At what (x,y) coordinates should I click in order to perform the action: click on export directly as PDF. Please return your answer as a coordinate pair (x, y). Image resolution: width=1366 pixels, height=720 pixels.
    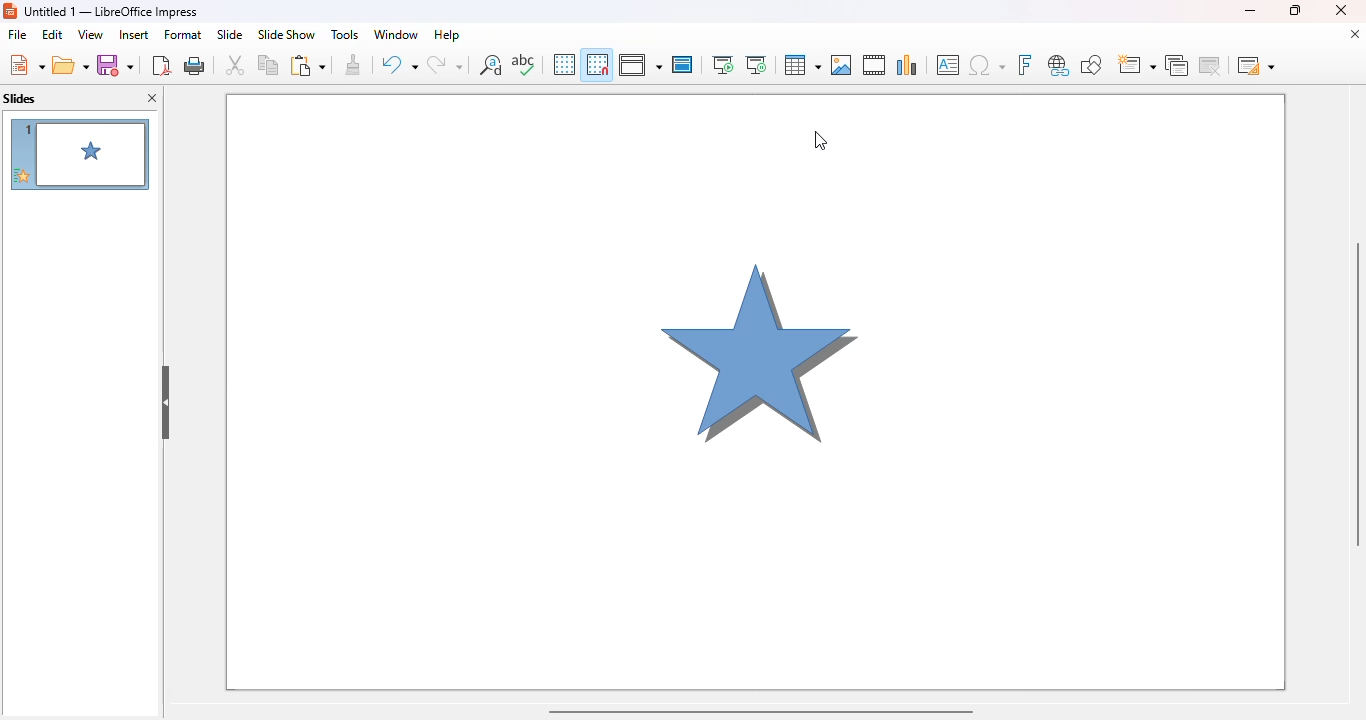
    Looking at the image, I should click on (161, 64).